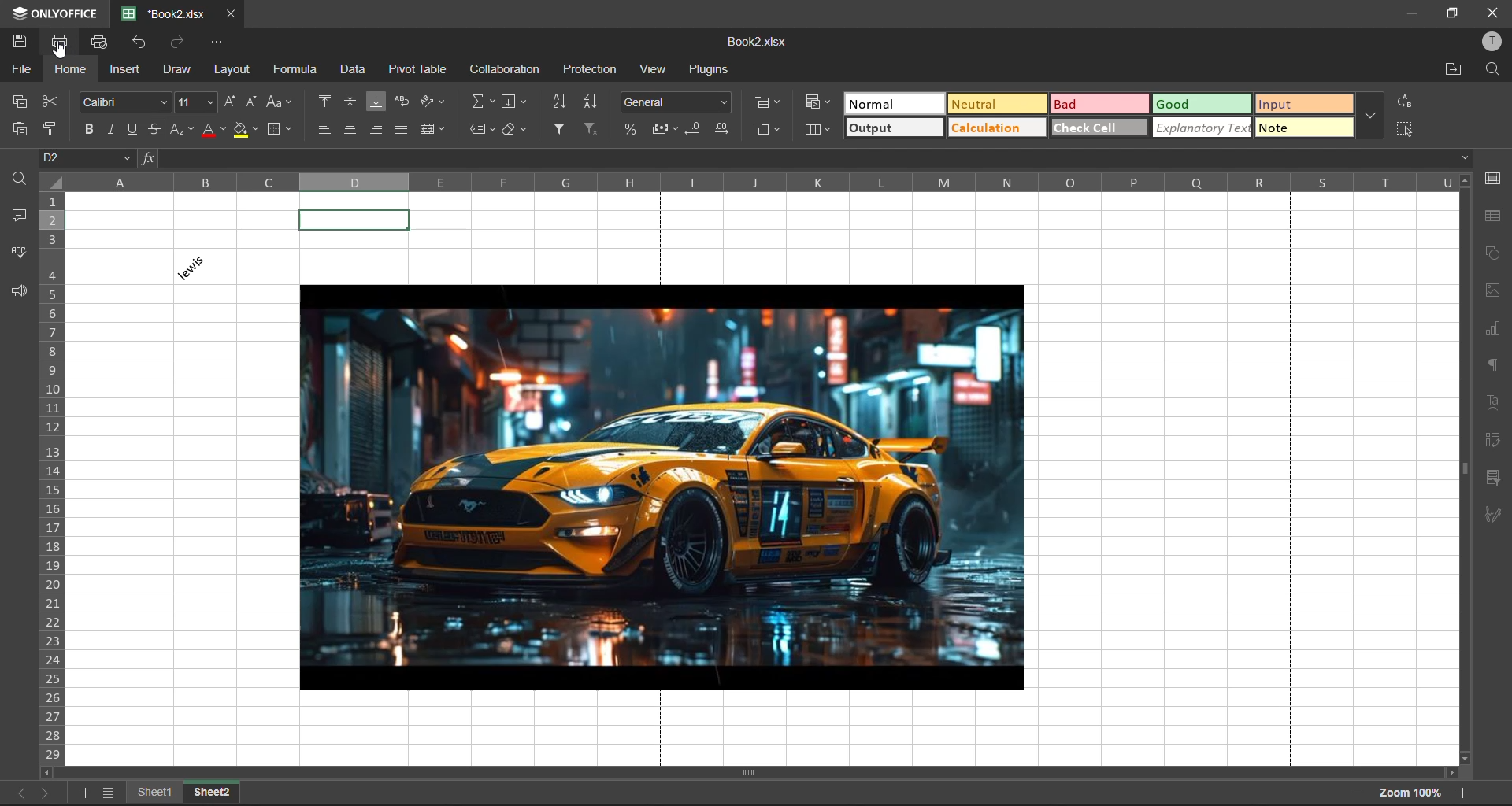 The width and height of the screenshot is (1512, 806). I want to click on conditional formatting, so click(819, 103).